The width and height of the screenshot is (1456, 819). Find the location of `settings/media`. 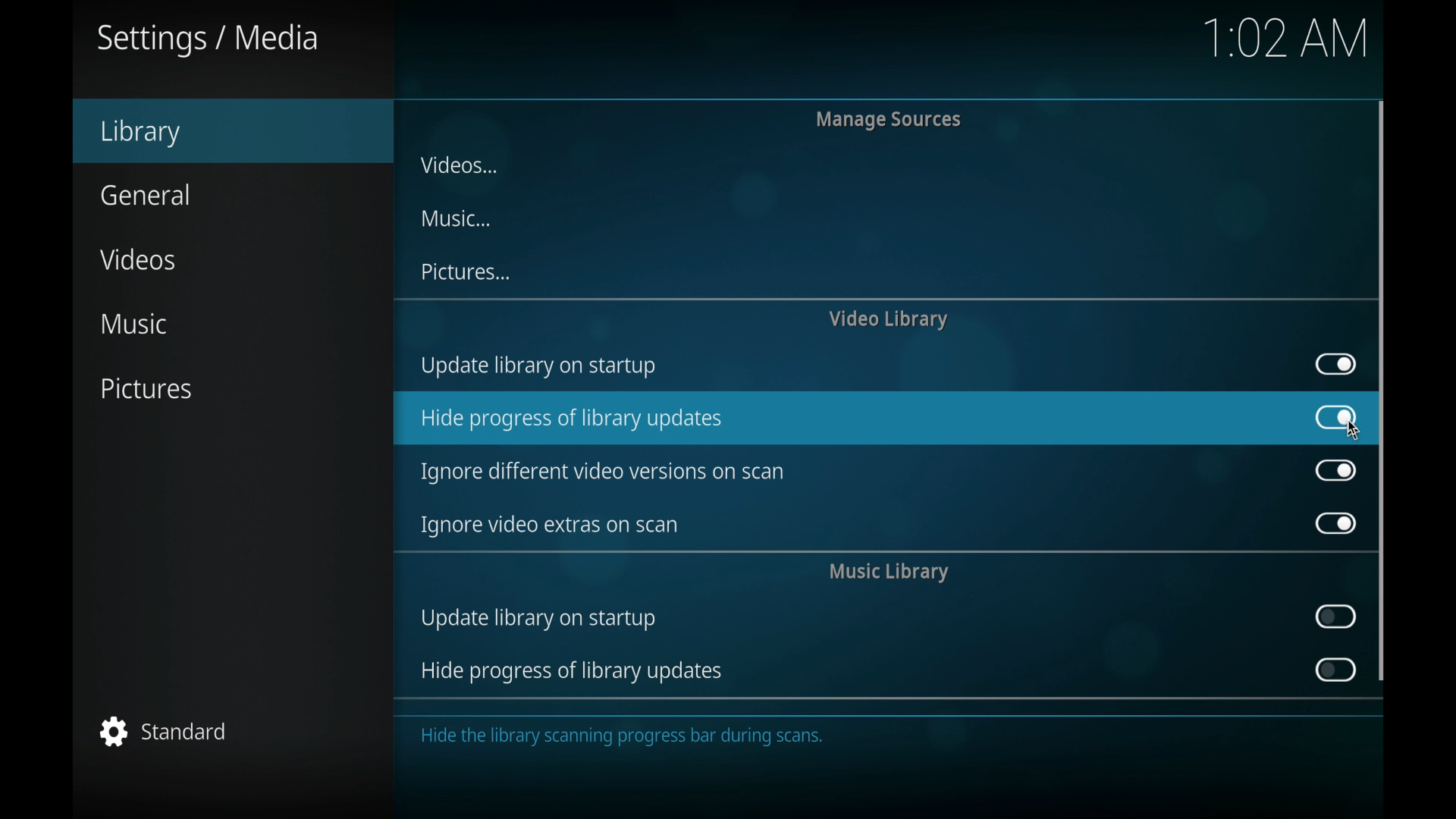

settings/media is located at coordinates (206, 40).